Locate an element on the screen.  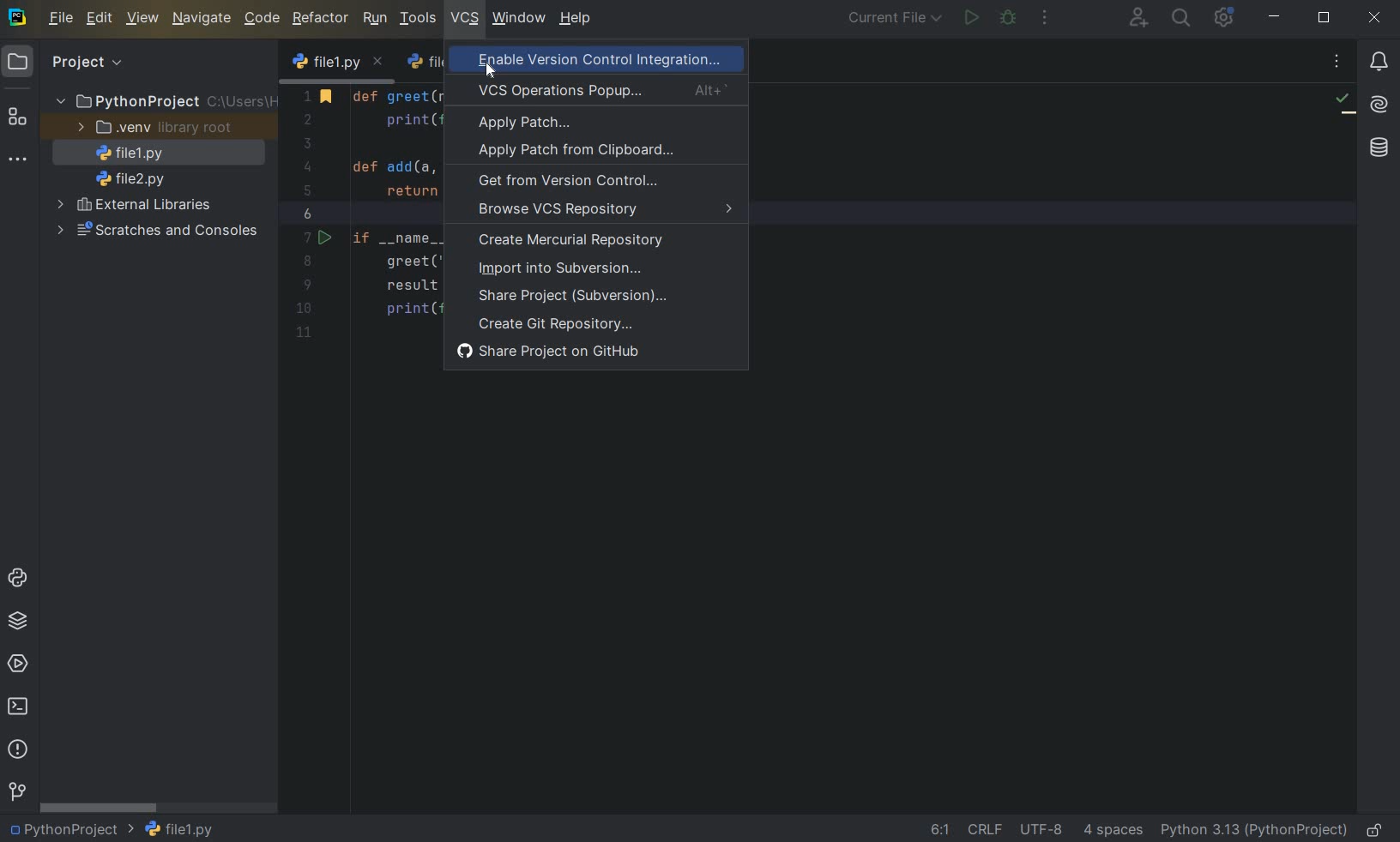
indent is located at coordinates (1115, 830).